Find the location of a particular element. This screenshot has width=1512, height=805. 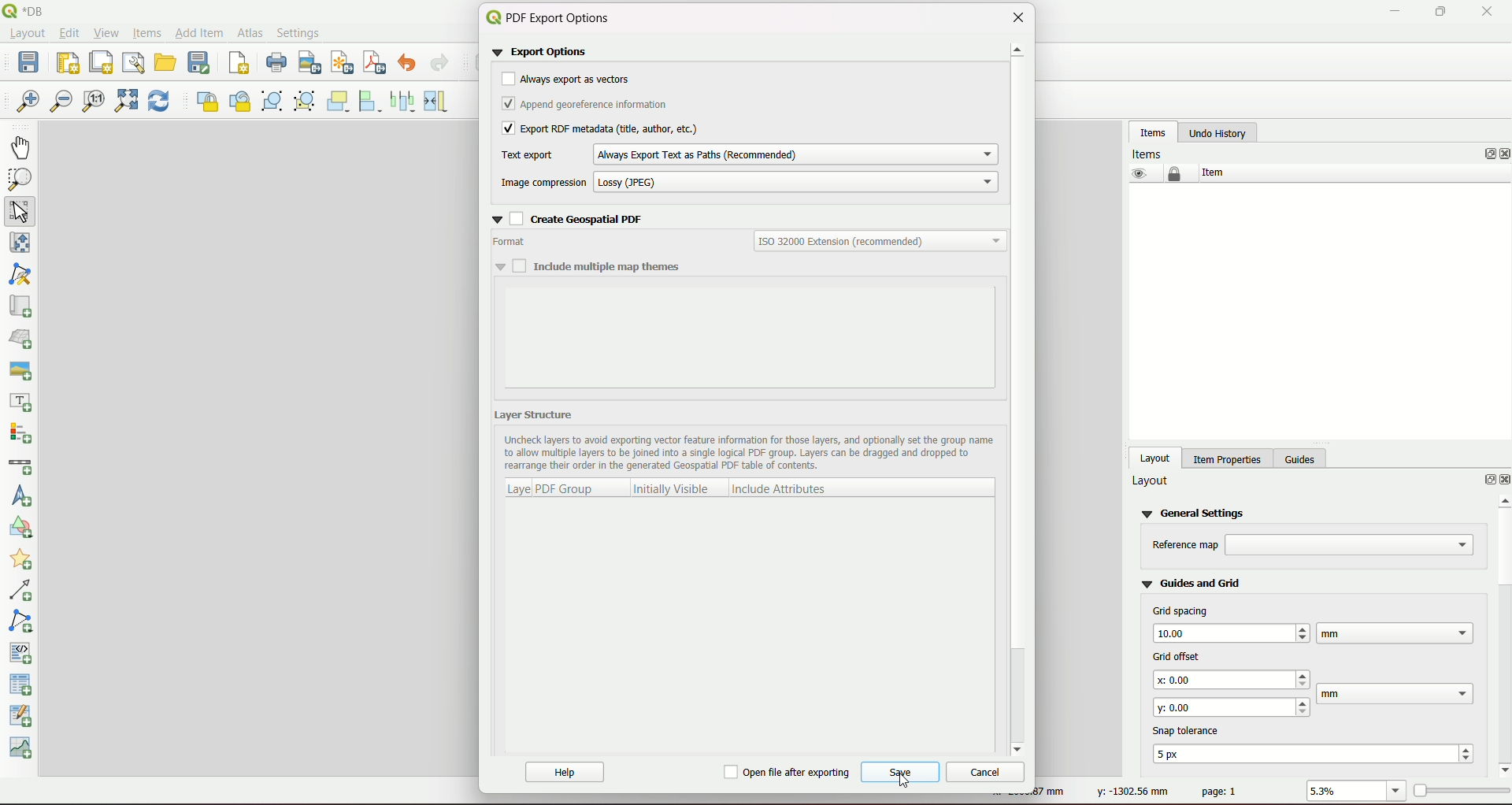

pan layout is located at coordinates (22, 147).